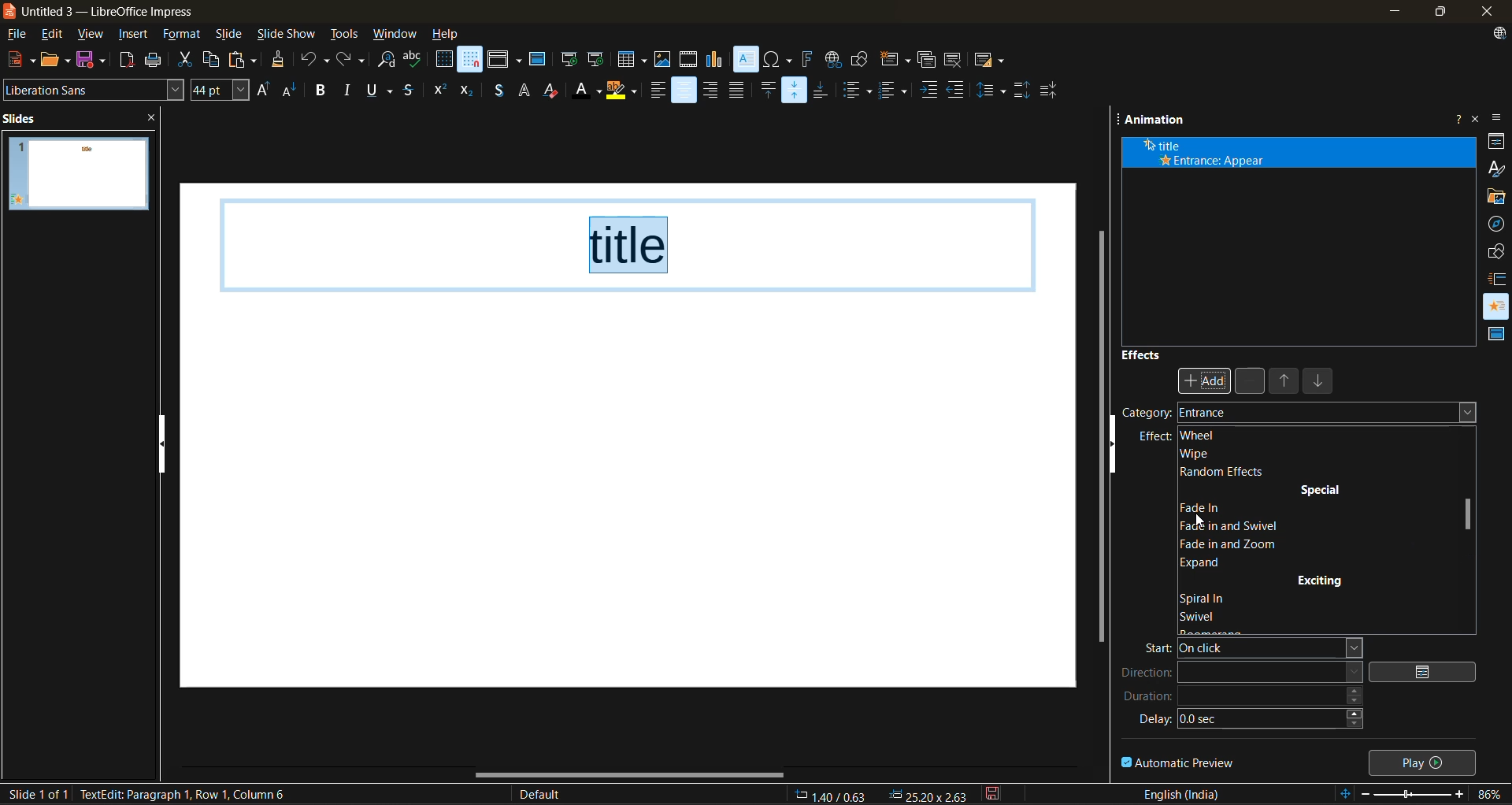 This screenshot has width=1512, height=805. I want to click on add, so click(1206, 380).